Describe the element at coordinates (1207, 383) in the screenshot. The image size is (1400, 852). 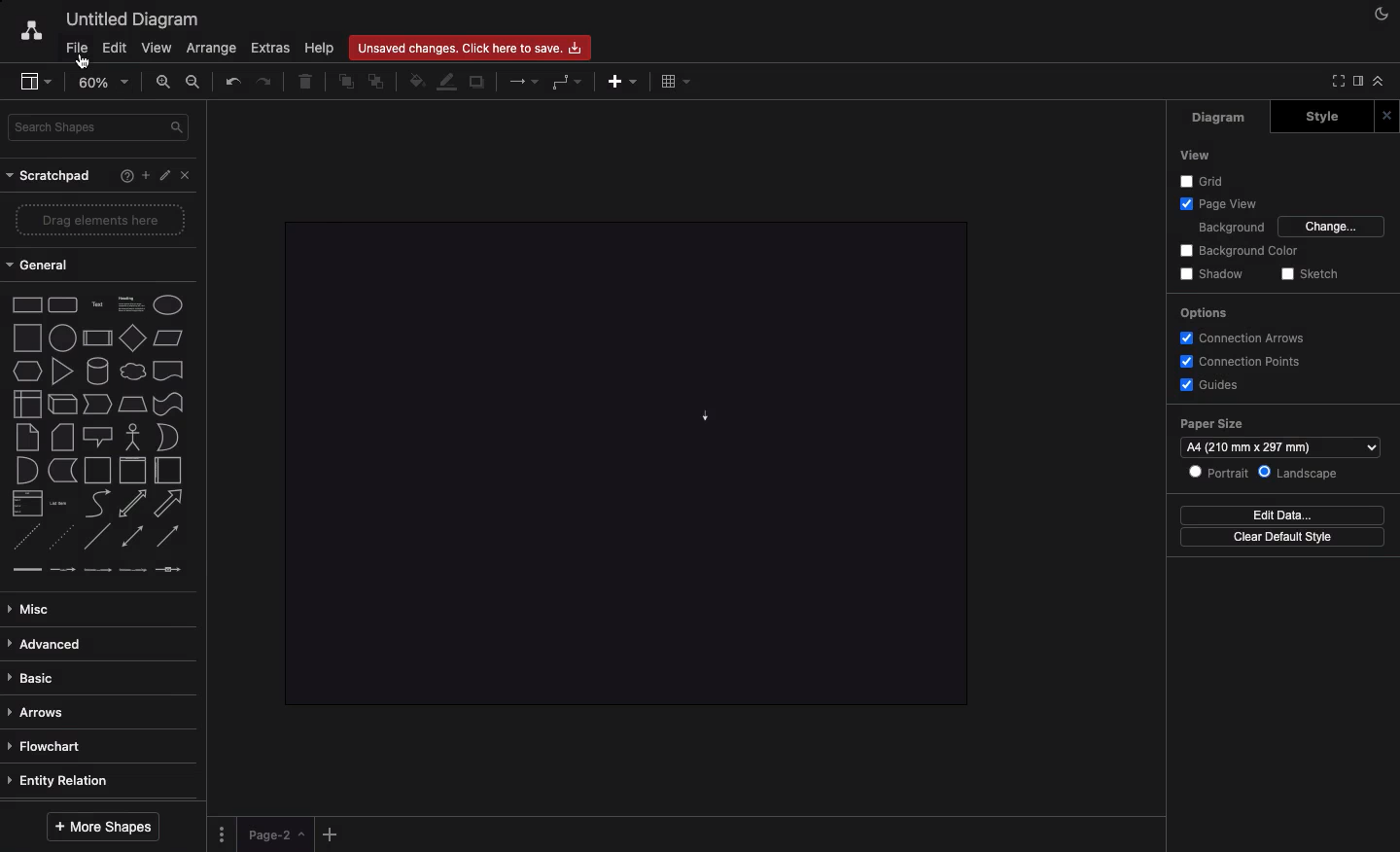
I see `Guides` at that location.